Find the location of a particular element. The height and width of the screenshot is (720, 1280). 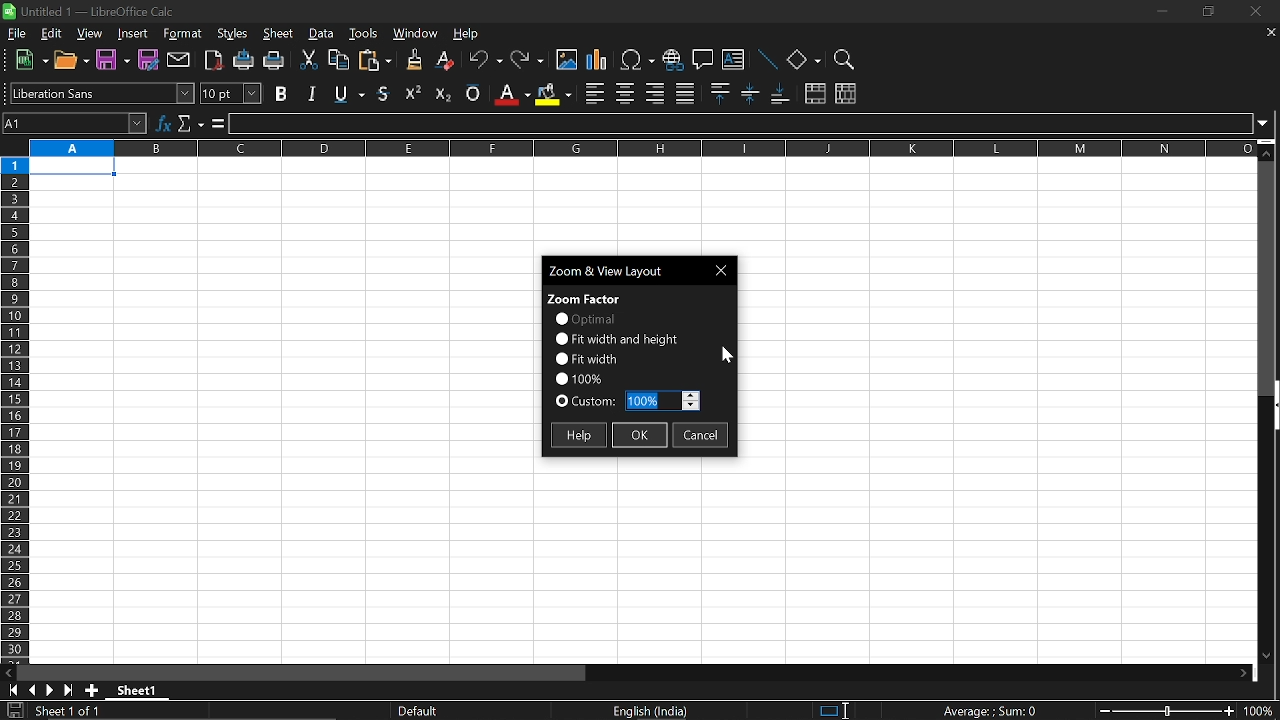

insert chart is located at coordinates (597, 61).